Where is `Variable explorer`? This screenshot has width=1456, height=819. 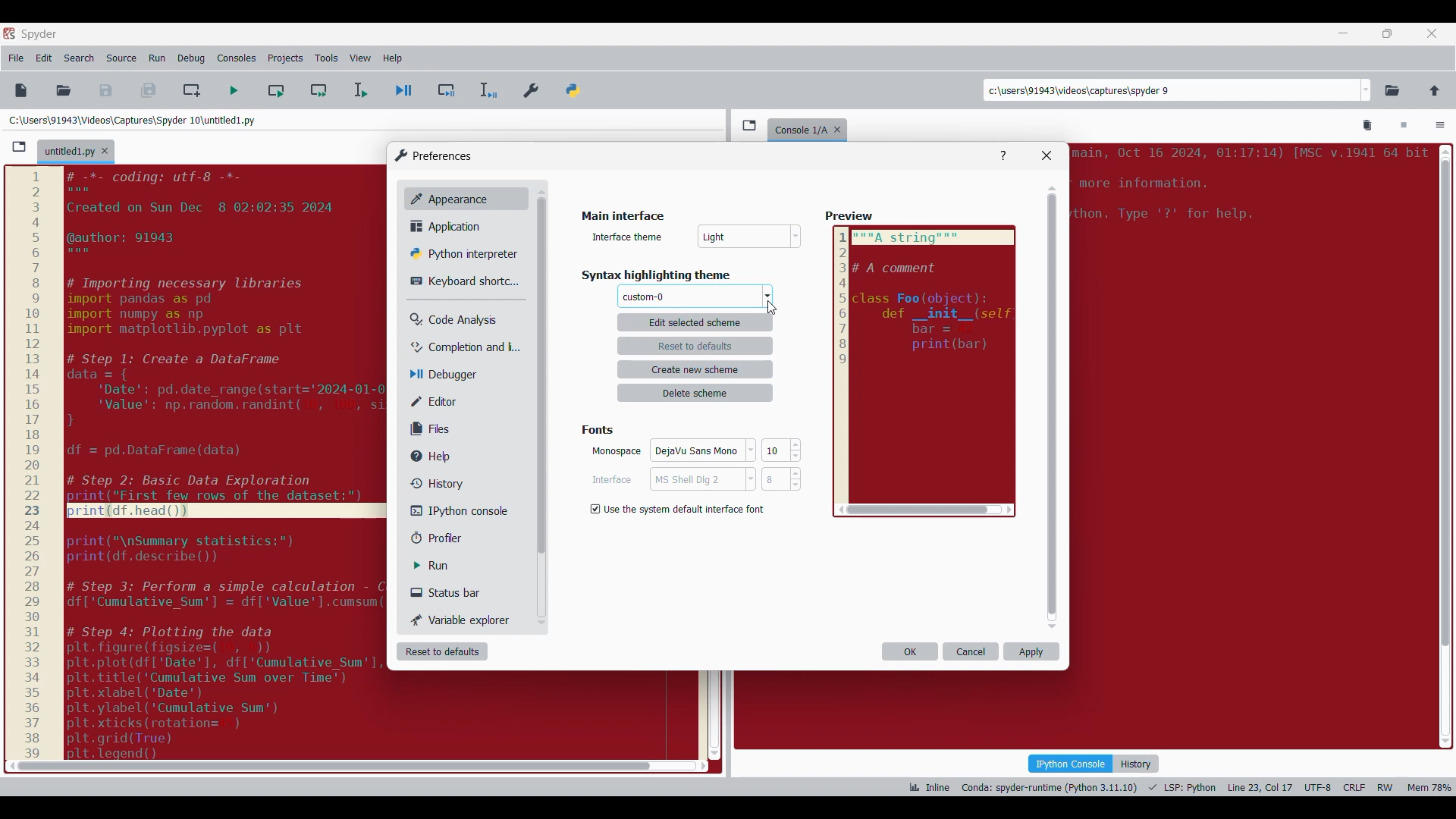 Variable explorer is located at coordinates (462, 620).